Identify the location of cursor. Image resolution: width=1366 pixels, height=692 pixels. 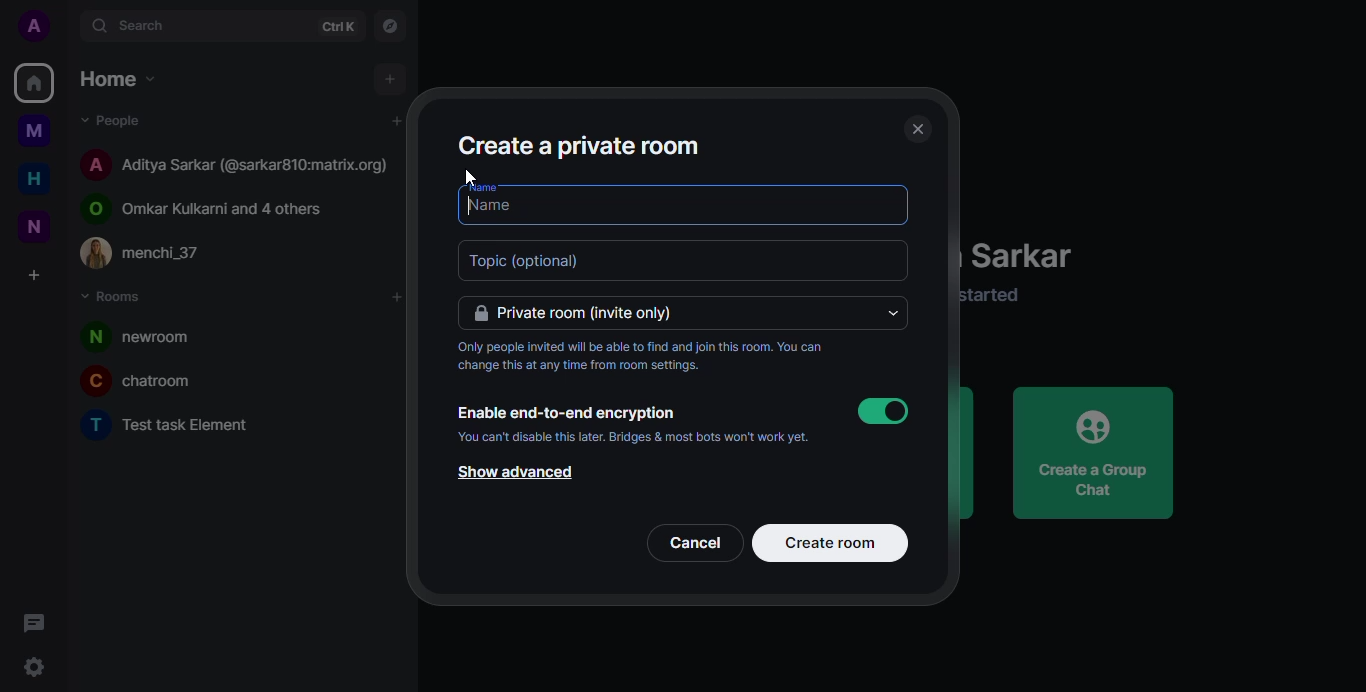
(465, 180).